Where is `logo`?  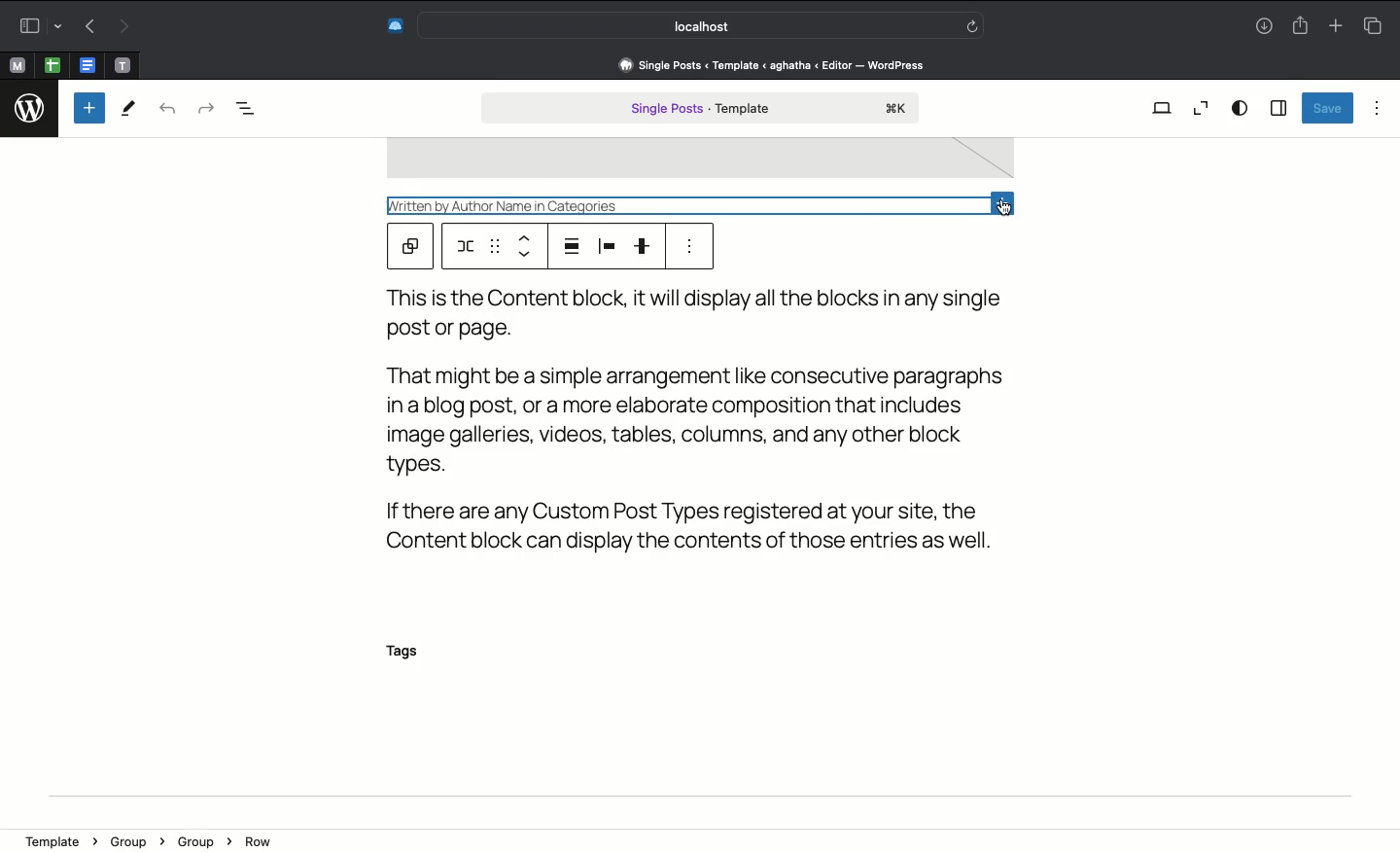 logo is located at coordinates (31, 104).